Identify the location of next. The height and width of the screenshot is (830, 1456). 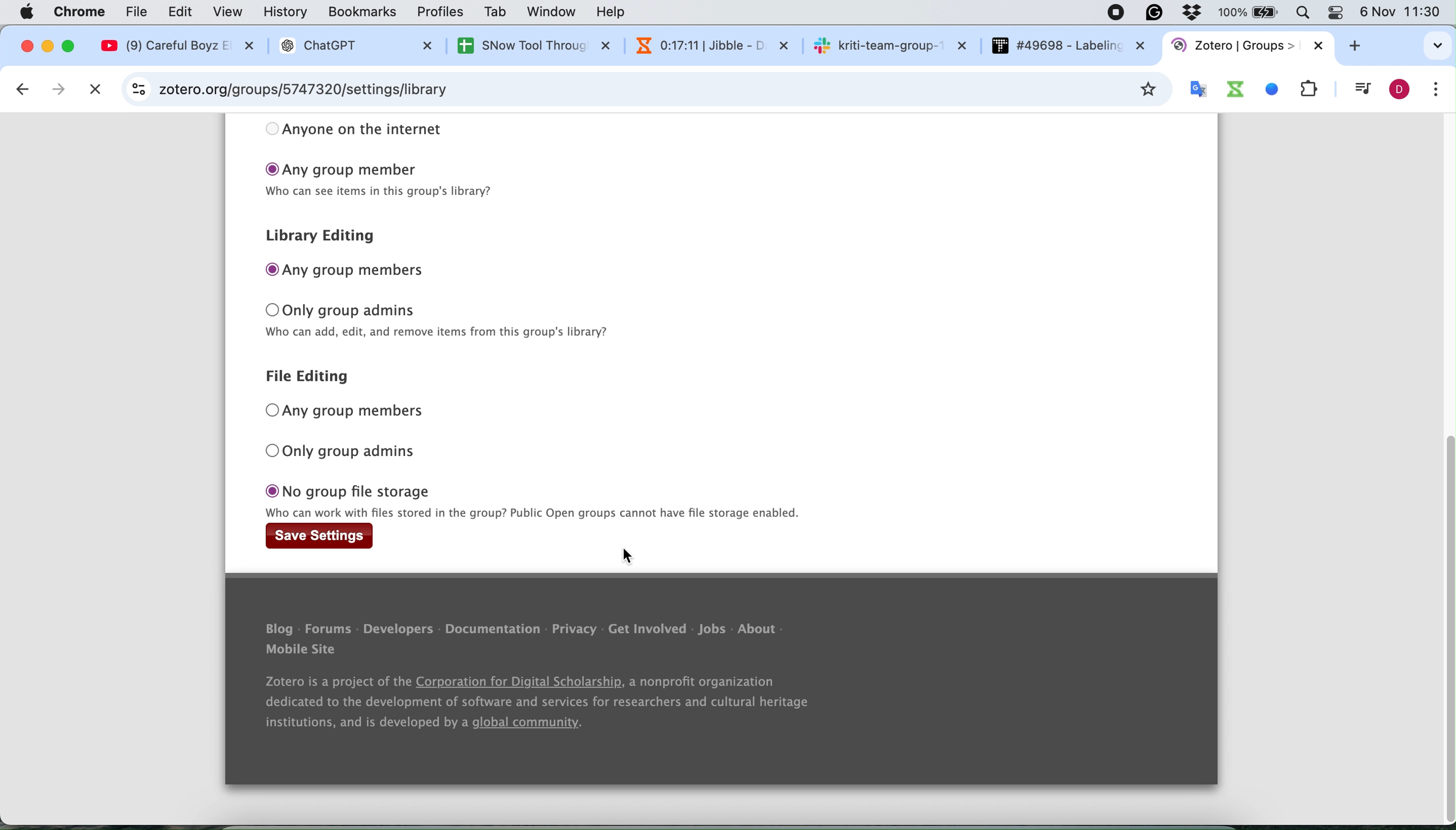
(66, 89).